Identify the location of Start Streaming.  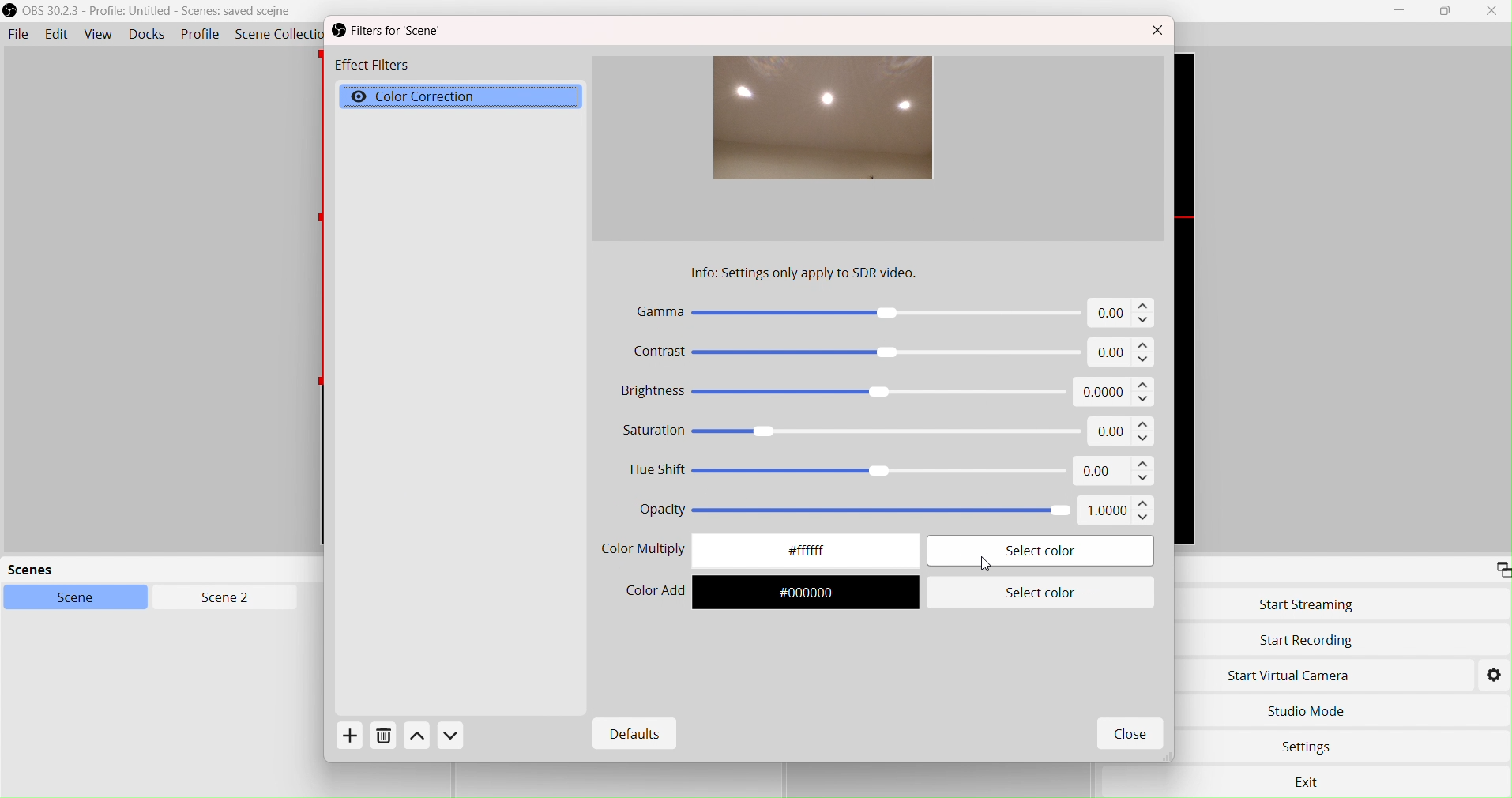
(1307, 604).